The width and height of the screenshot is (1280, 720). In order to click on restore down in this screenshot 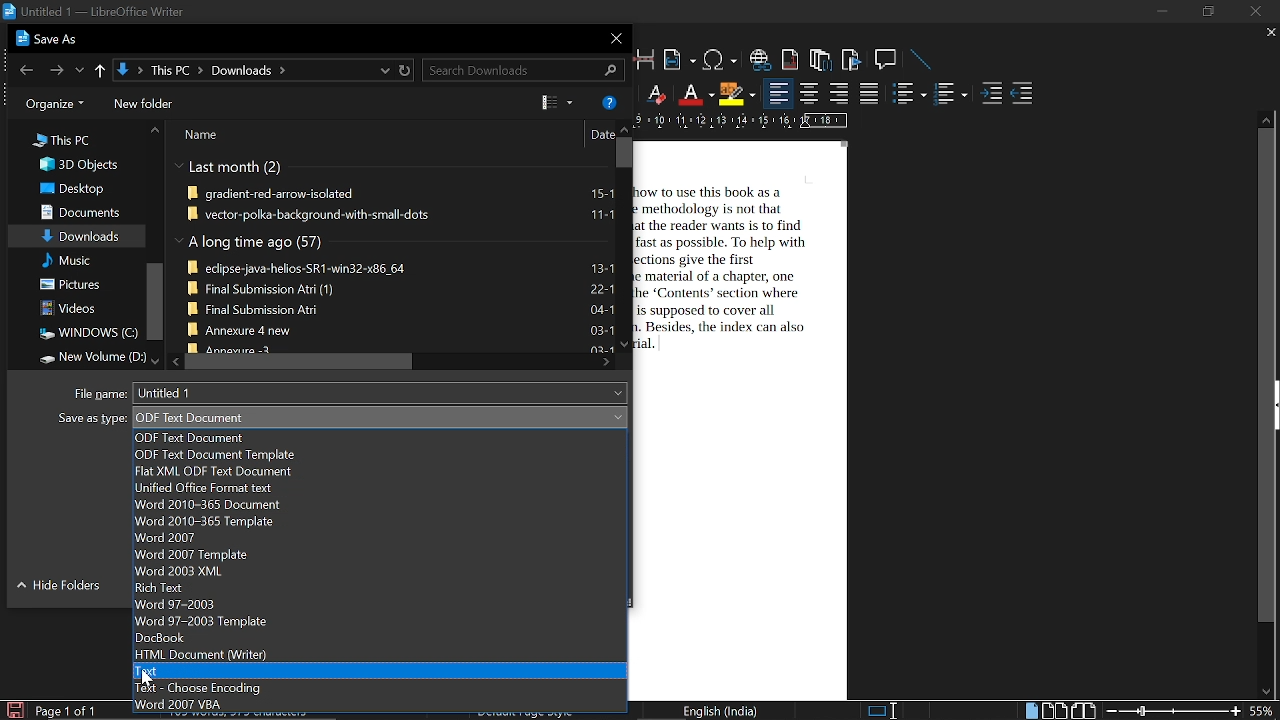, I will do `click(1206, 12)`.